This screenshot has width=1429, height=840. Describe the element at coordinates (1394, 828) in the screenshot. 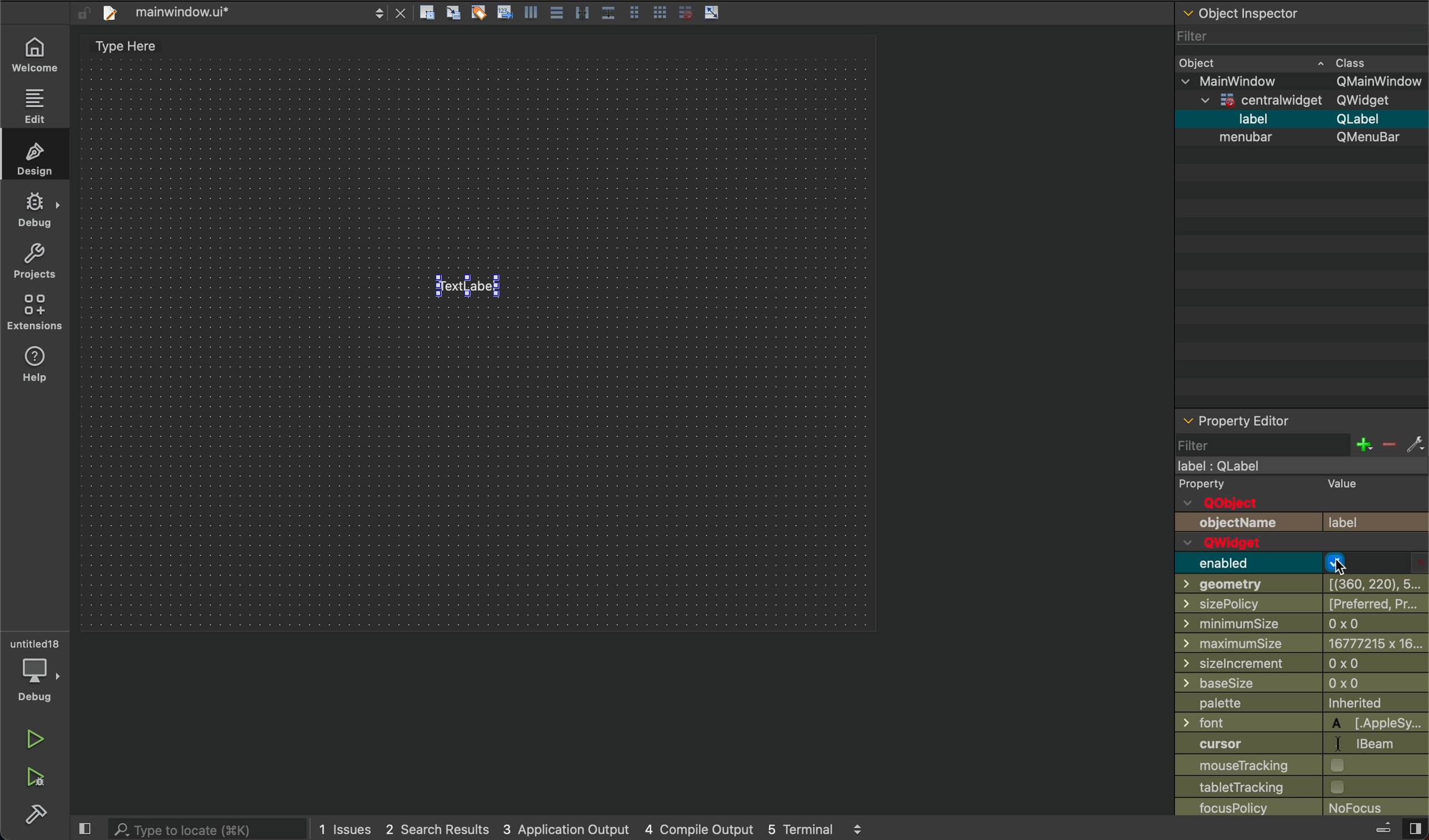

I see `close slidebar` at that location.